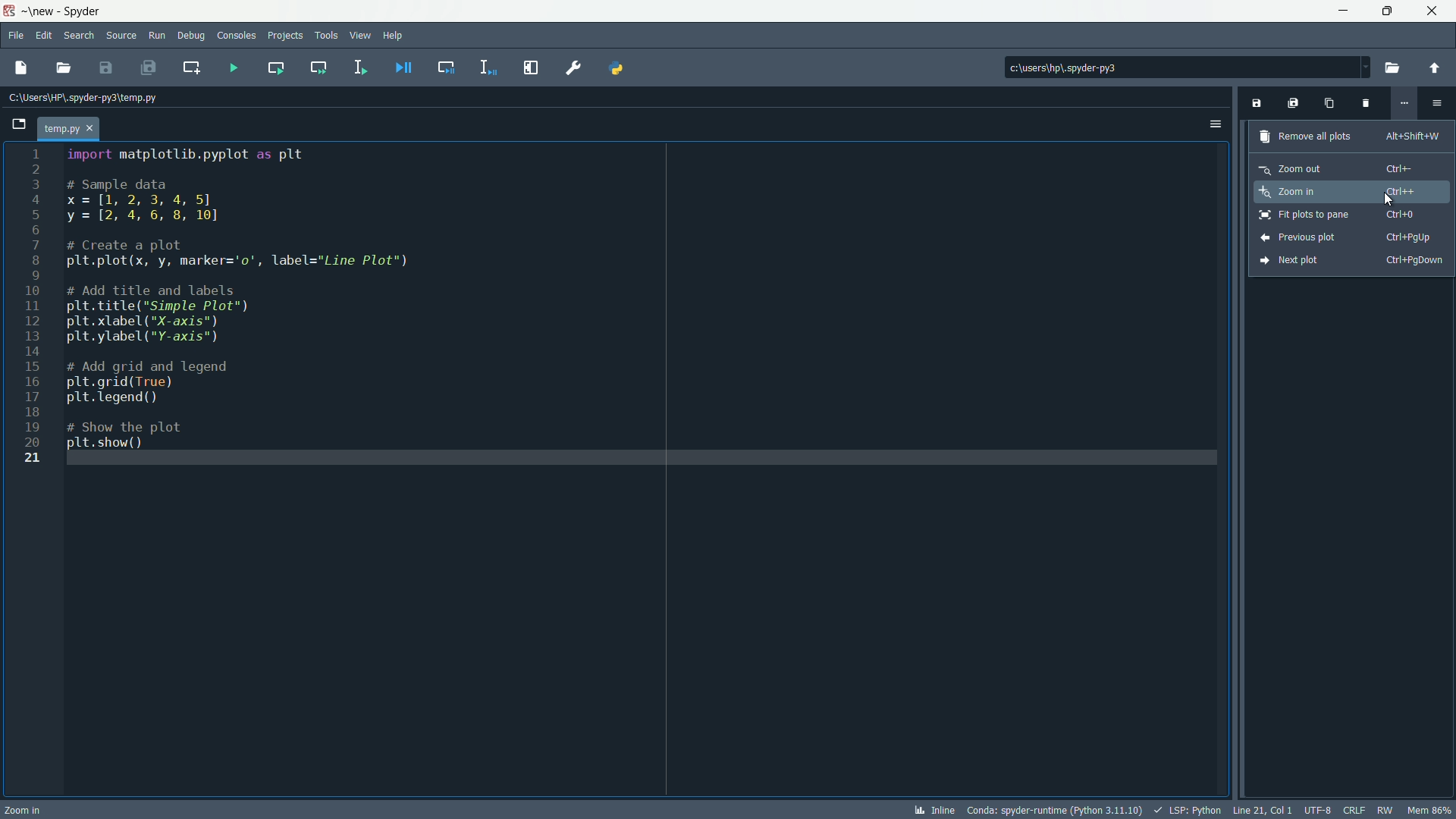 The image size is (1456, 819). Describe the element at coordinates (1337, 167) in the screenshot. I see `zoom out` at that location.